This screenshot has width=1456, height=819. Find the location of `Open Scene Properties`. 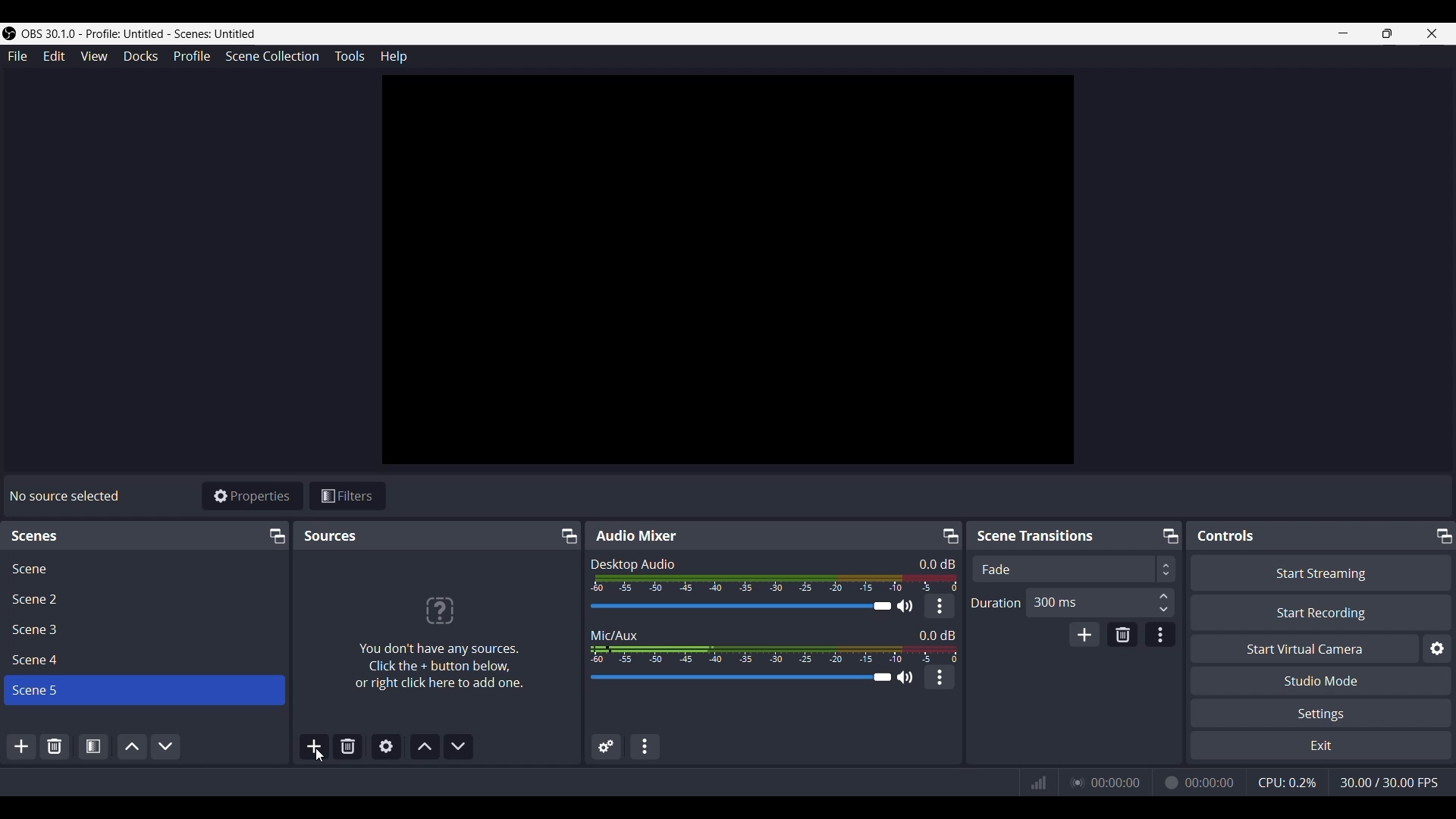

Open Scene Properties is located at coordinates (93, 747).